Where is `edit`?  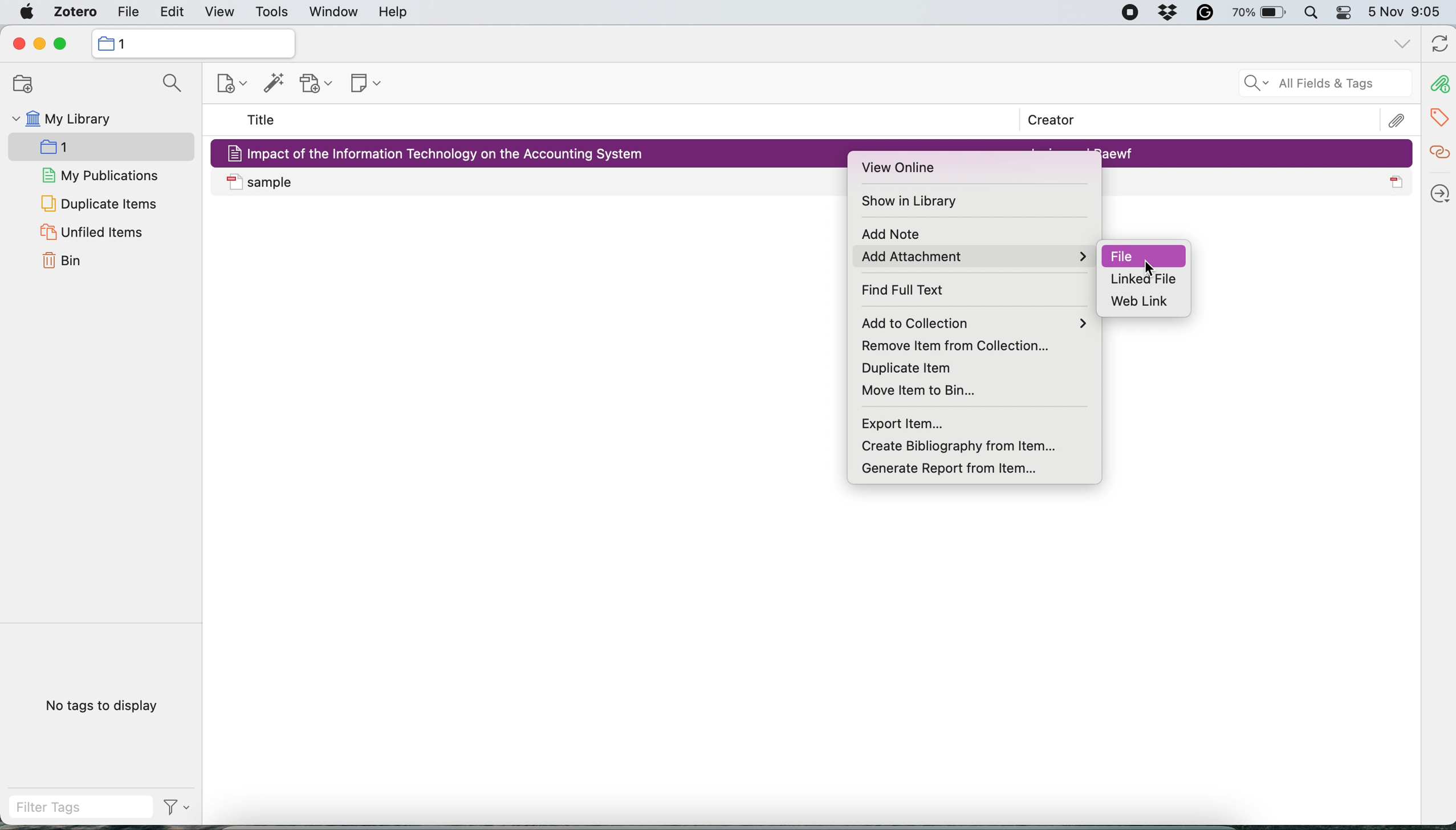 edit is located at coordinates (127, 14).